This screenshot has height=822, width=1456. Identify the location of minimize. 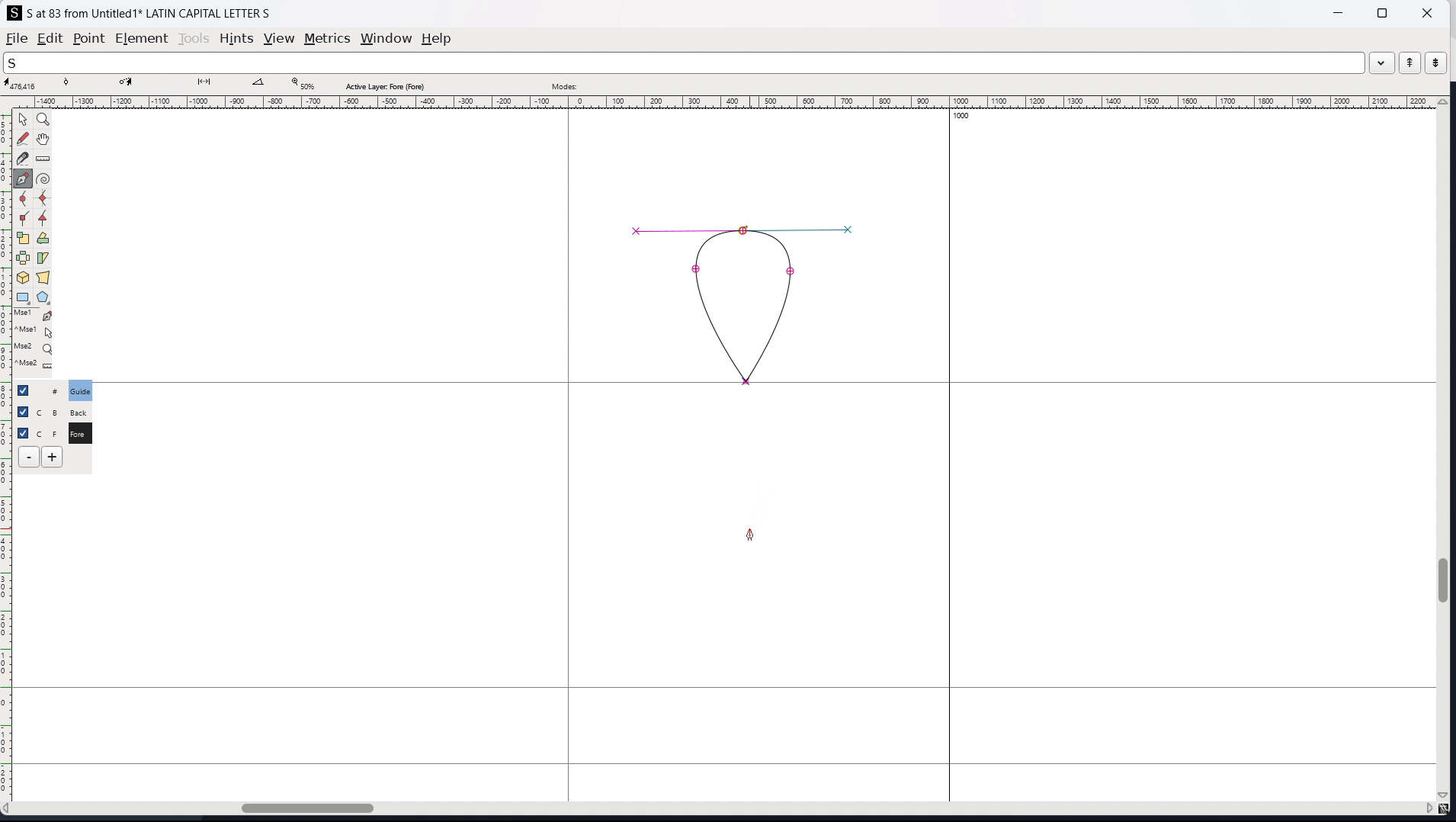
(1340, 11).